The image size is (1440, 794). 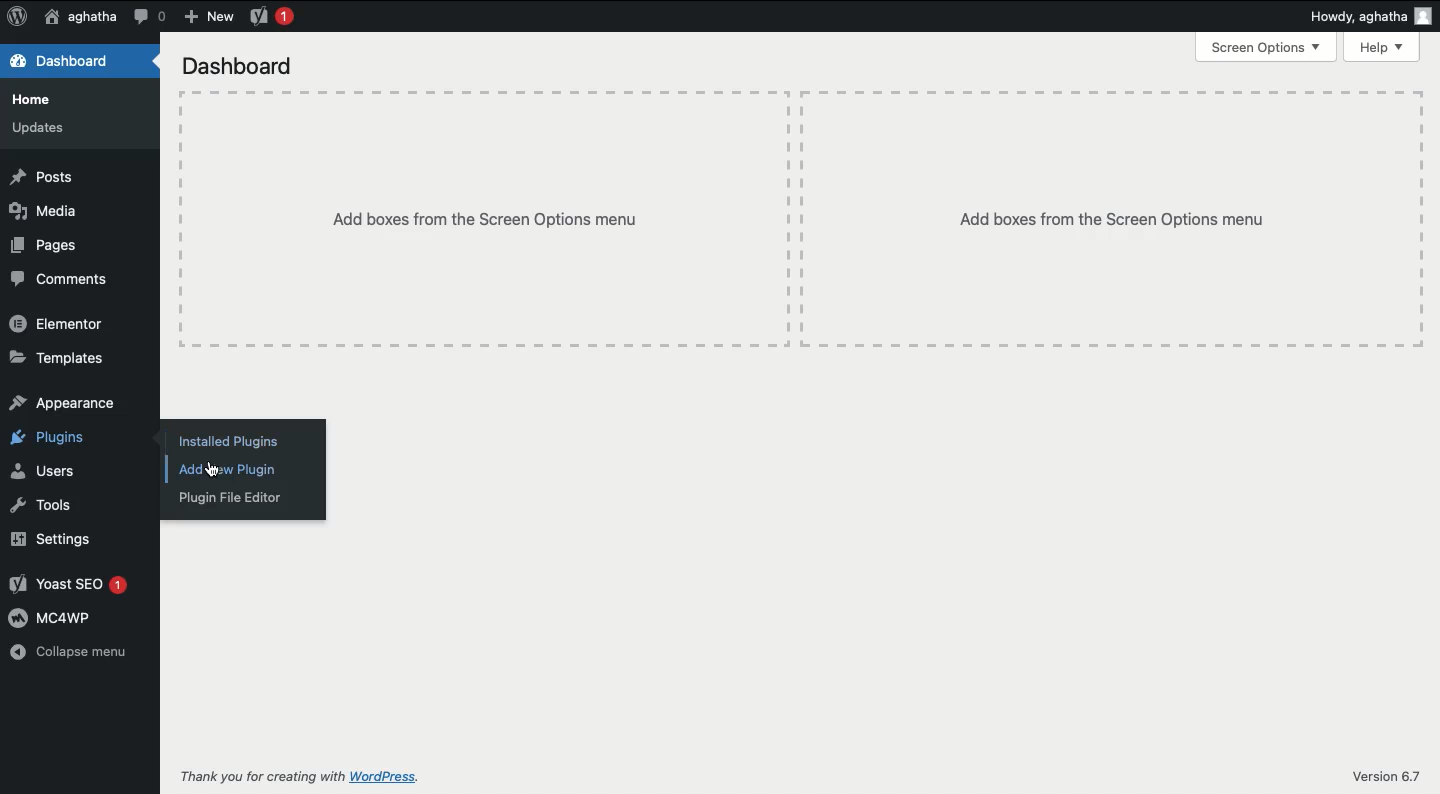 What do you see at coordinates (224, 471) in the screenshot?
I see `Click add new plugin` at bounding box center [224, 471].